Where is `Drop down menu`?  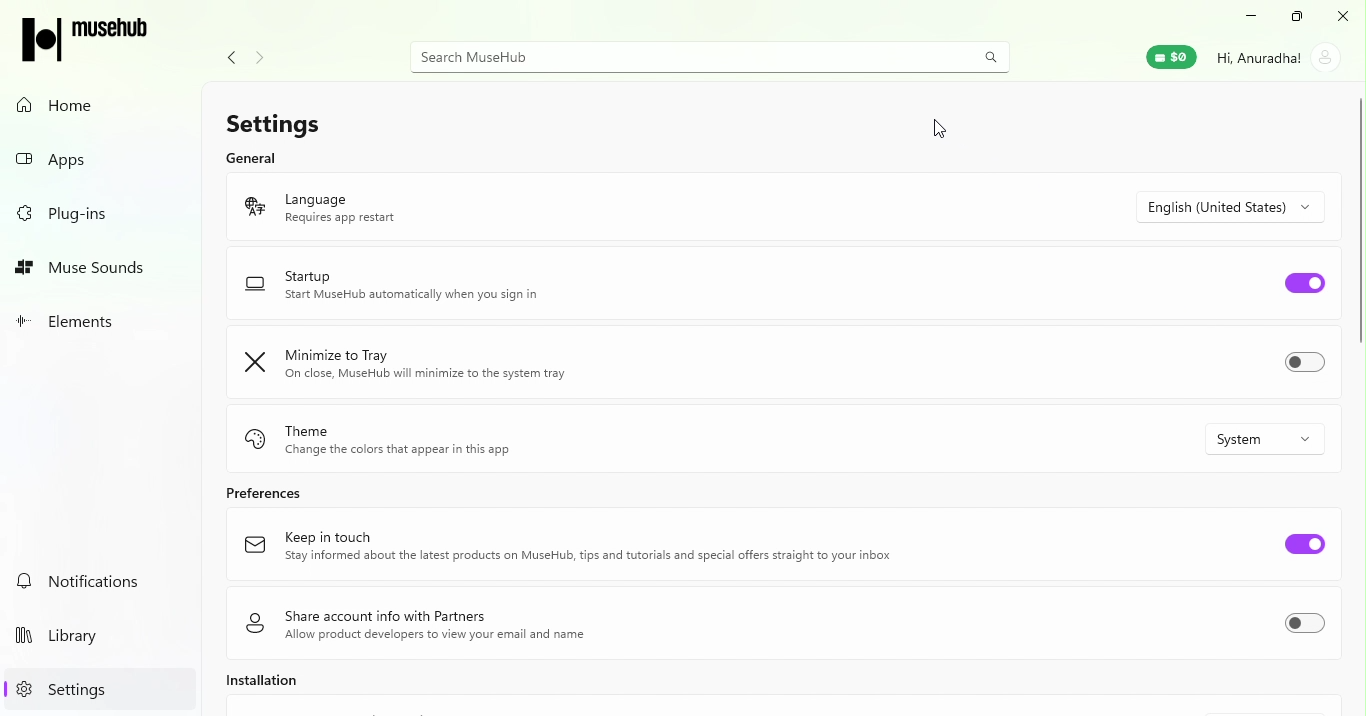 Drop down menu is located at coordinates (1266, 441).